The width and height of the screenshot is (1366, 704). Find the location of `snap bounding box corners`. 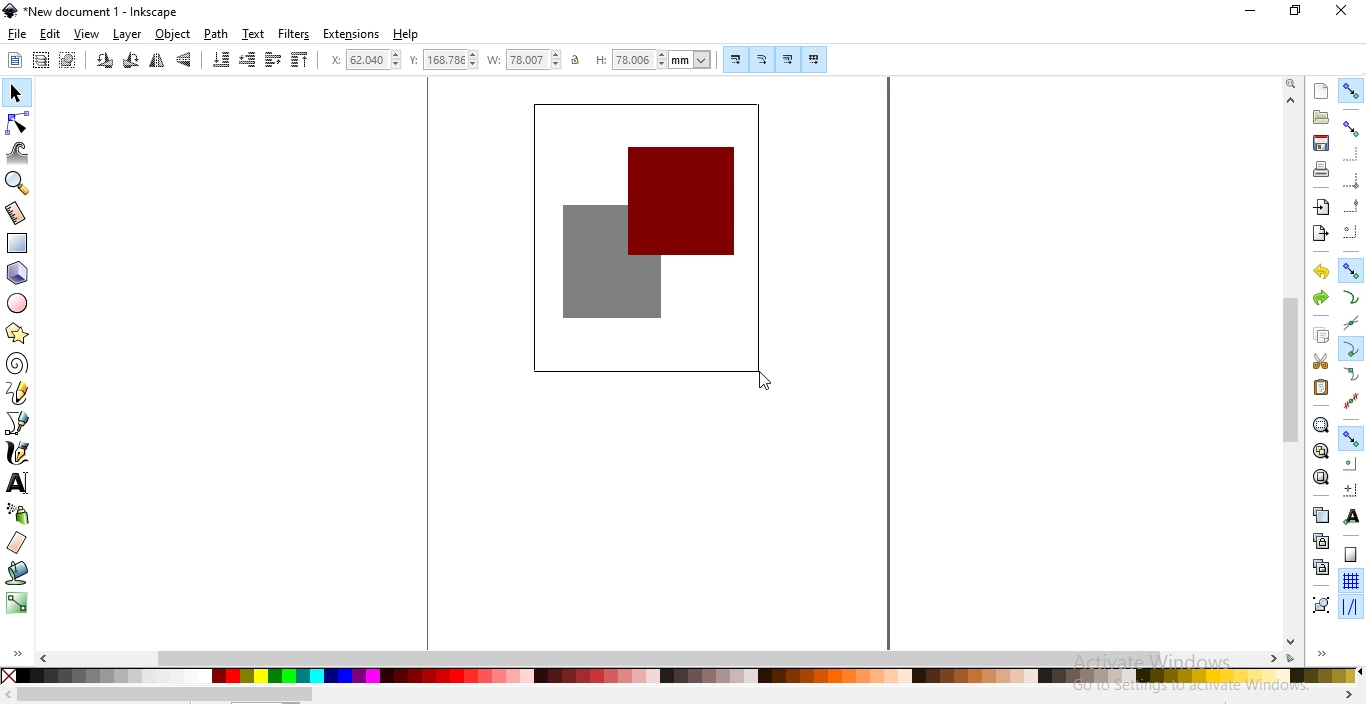

snap bounding box corners is located at coordinates (1350, 154).